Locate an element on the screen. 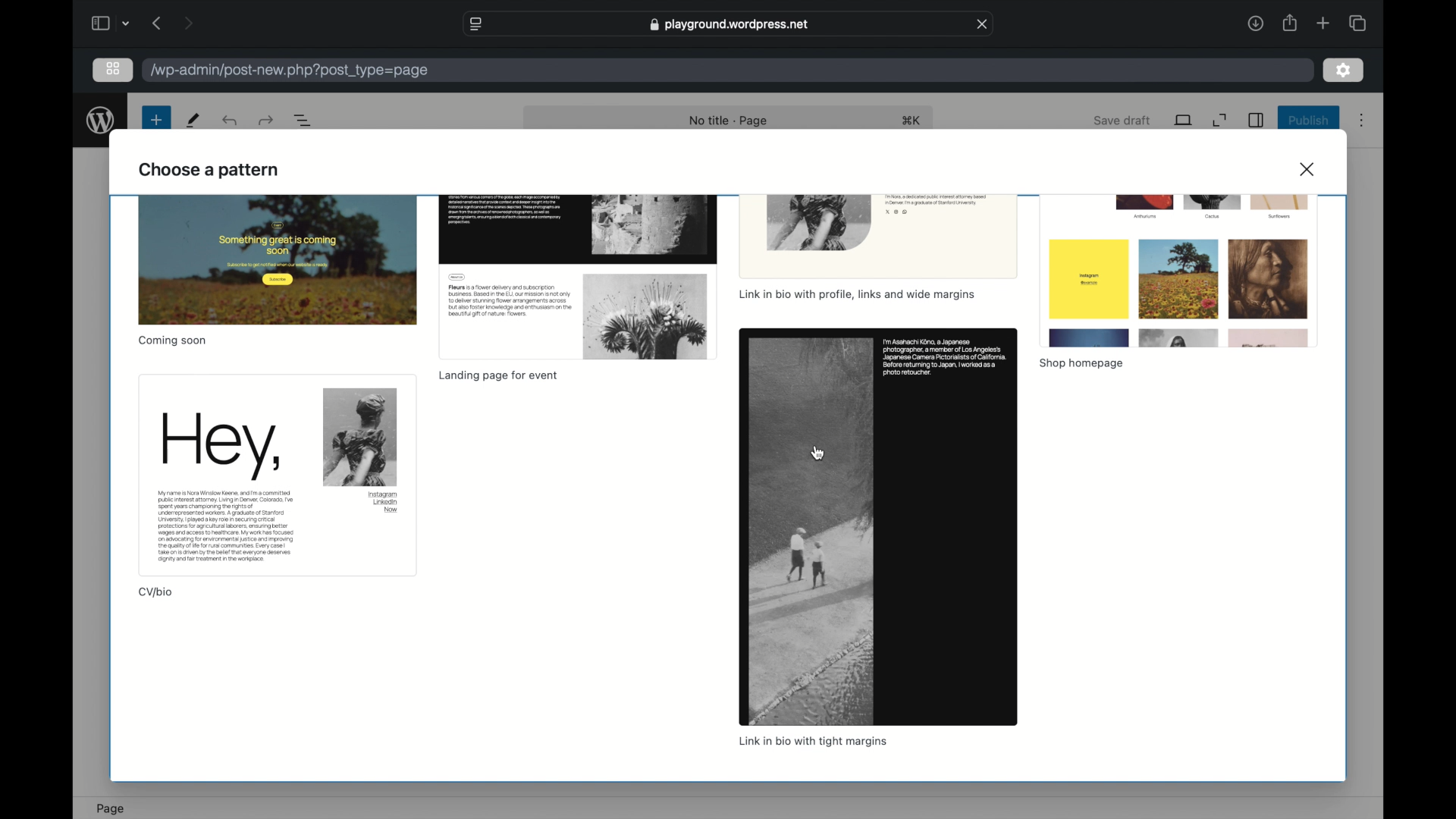  preview is located at coordinates (878, 237).